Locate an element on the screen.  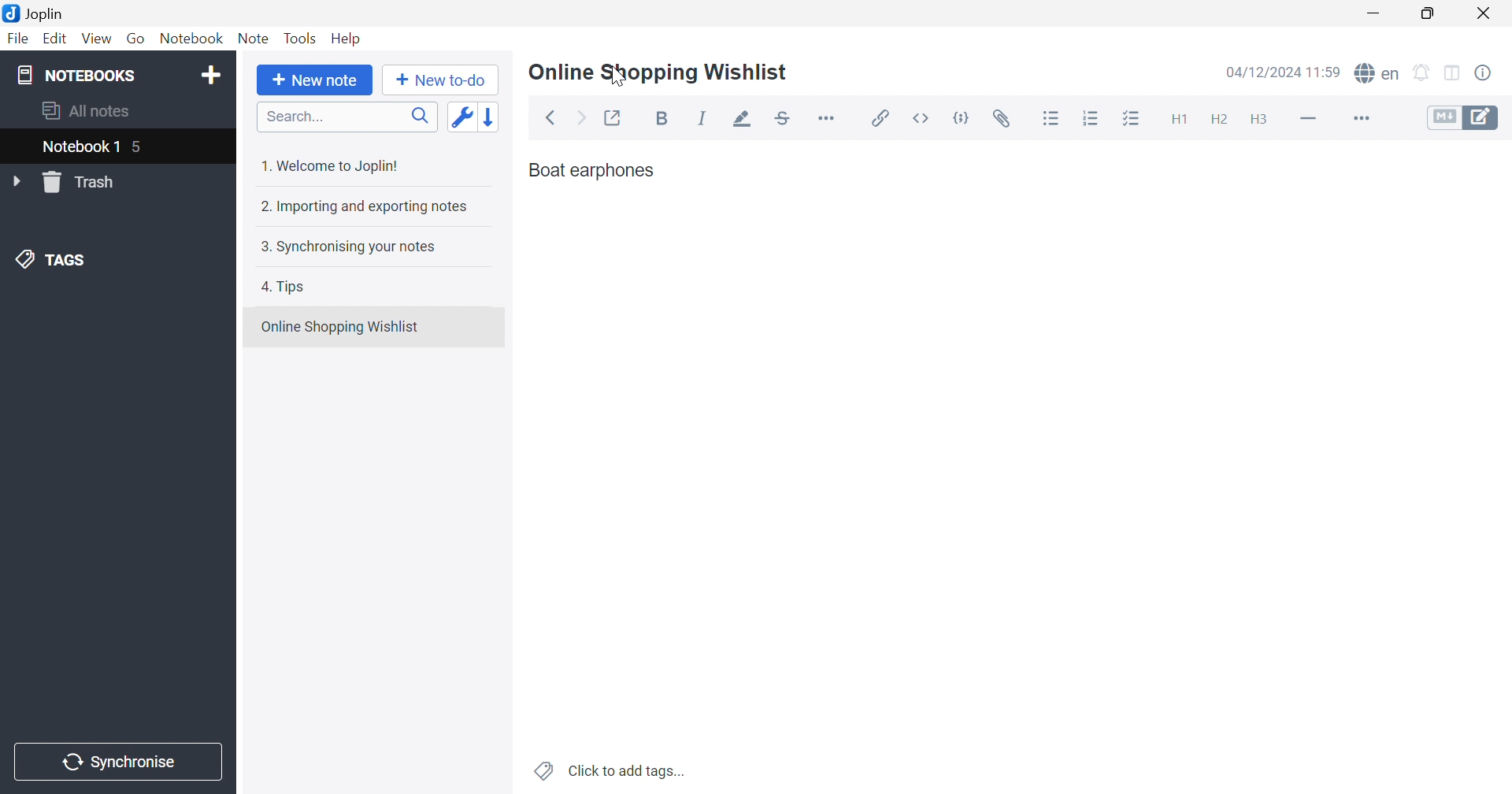
Go is located at coordinates (133, 36).